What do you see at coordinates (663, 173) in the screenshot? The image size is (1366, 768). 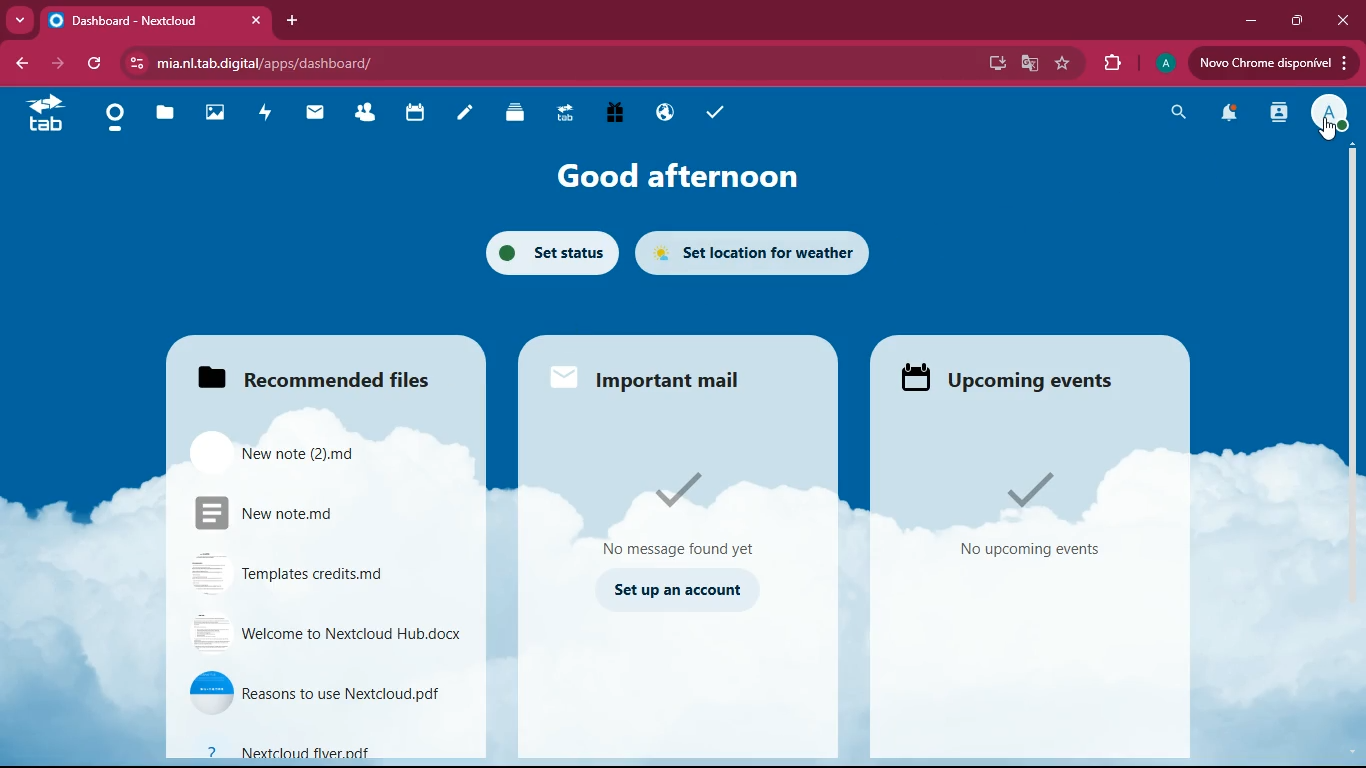 I see `good afternoon` at bounding box center [663, 173].